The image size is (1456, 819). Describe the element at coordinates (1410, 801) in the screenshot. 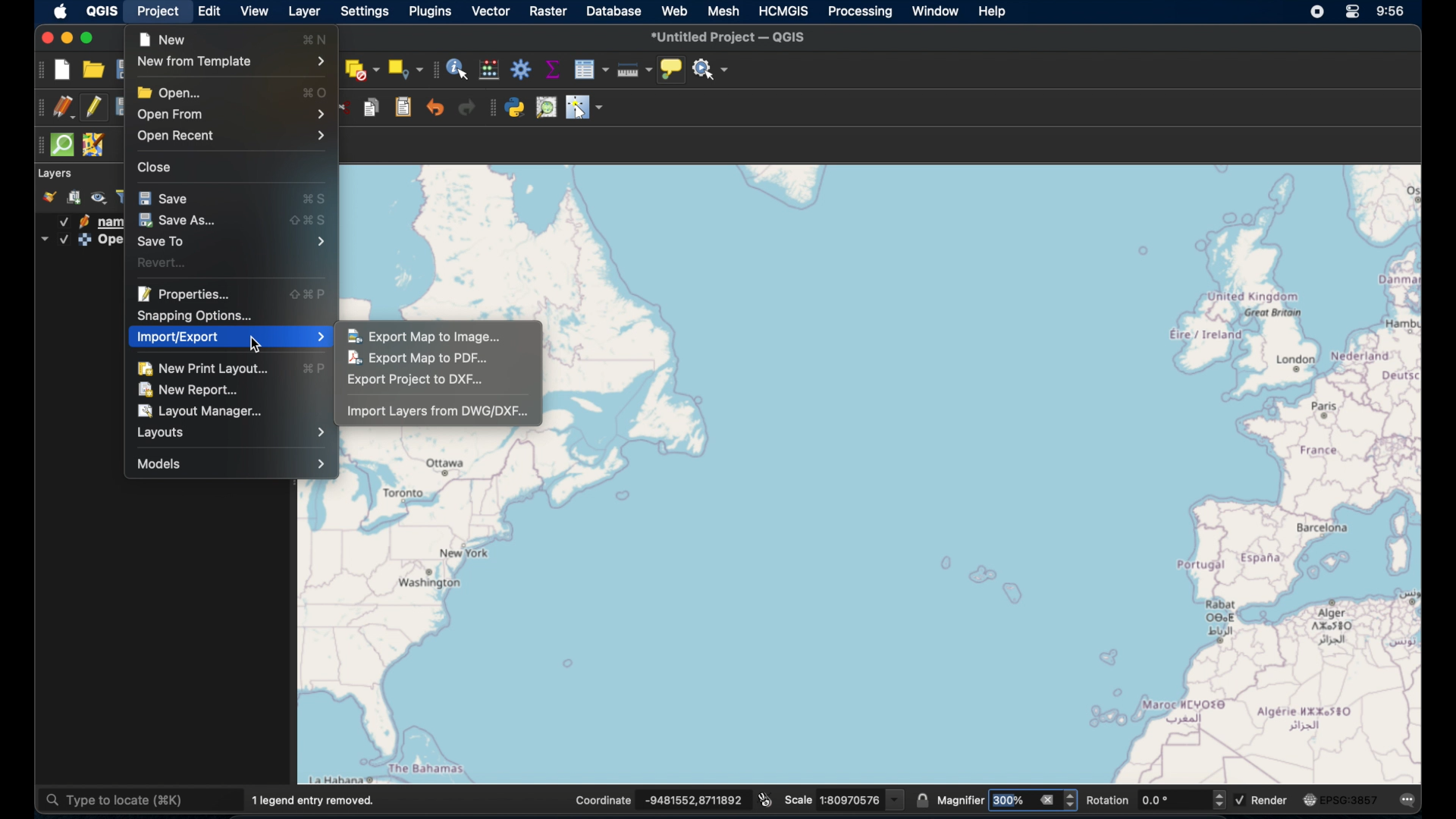

I see `messages` at that location.